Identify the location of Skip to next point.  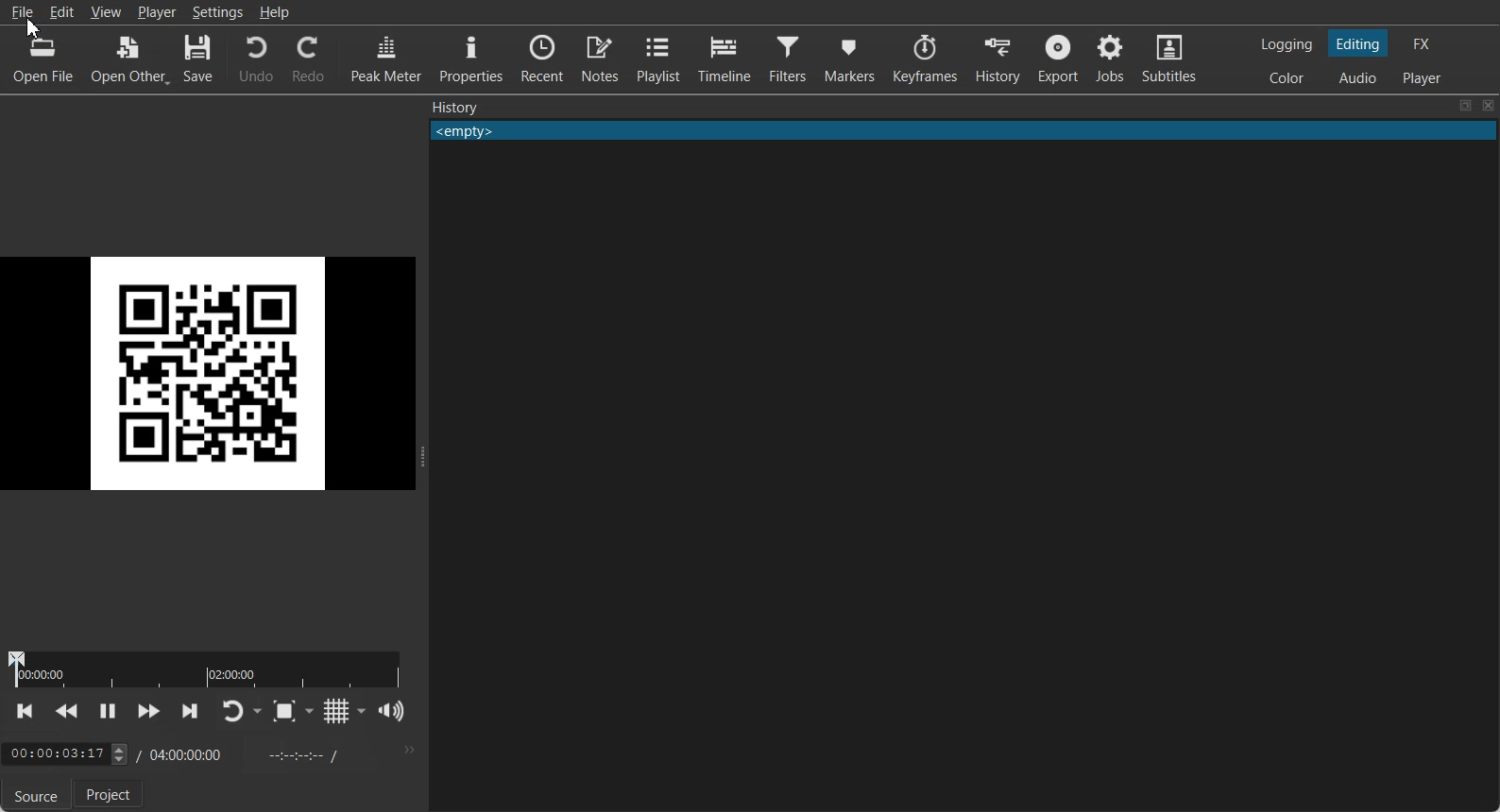
(191, 712).